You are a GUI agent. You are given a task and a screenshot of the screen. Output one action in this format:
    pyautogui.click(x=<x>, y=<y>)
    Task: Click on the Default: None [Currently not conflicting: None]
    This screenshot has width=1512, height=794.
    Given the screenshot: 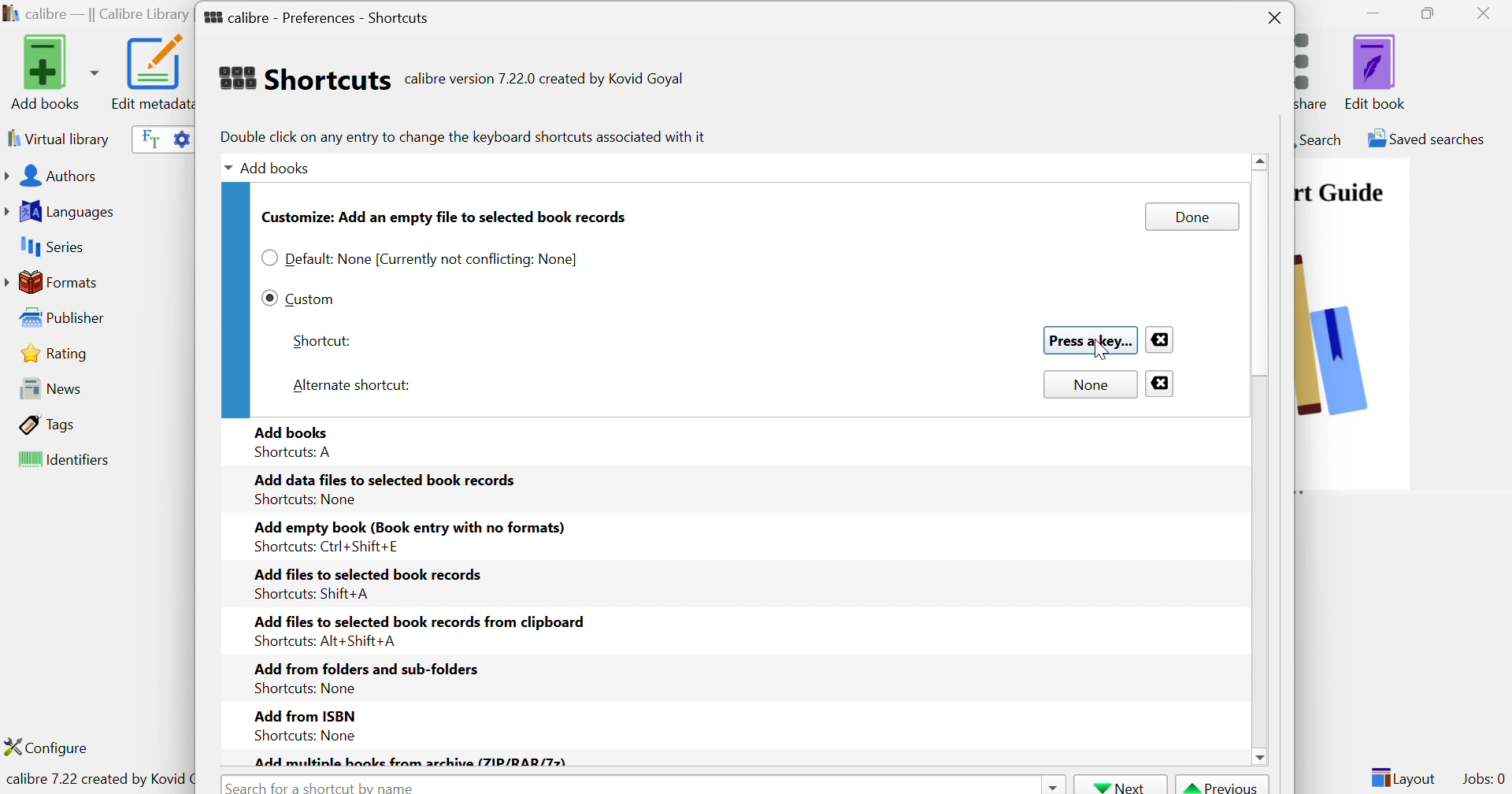 What is the action you would take?
    pyautogui.click(x=434, y=260)
    